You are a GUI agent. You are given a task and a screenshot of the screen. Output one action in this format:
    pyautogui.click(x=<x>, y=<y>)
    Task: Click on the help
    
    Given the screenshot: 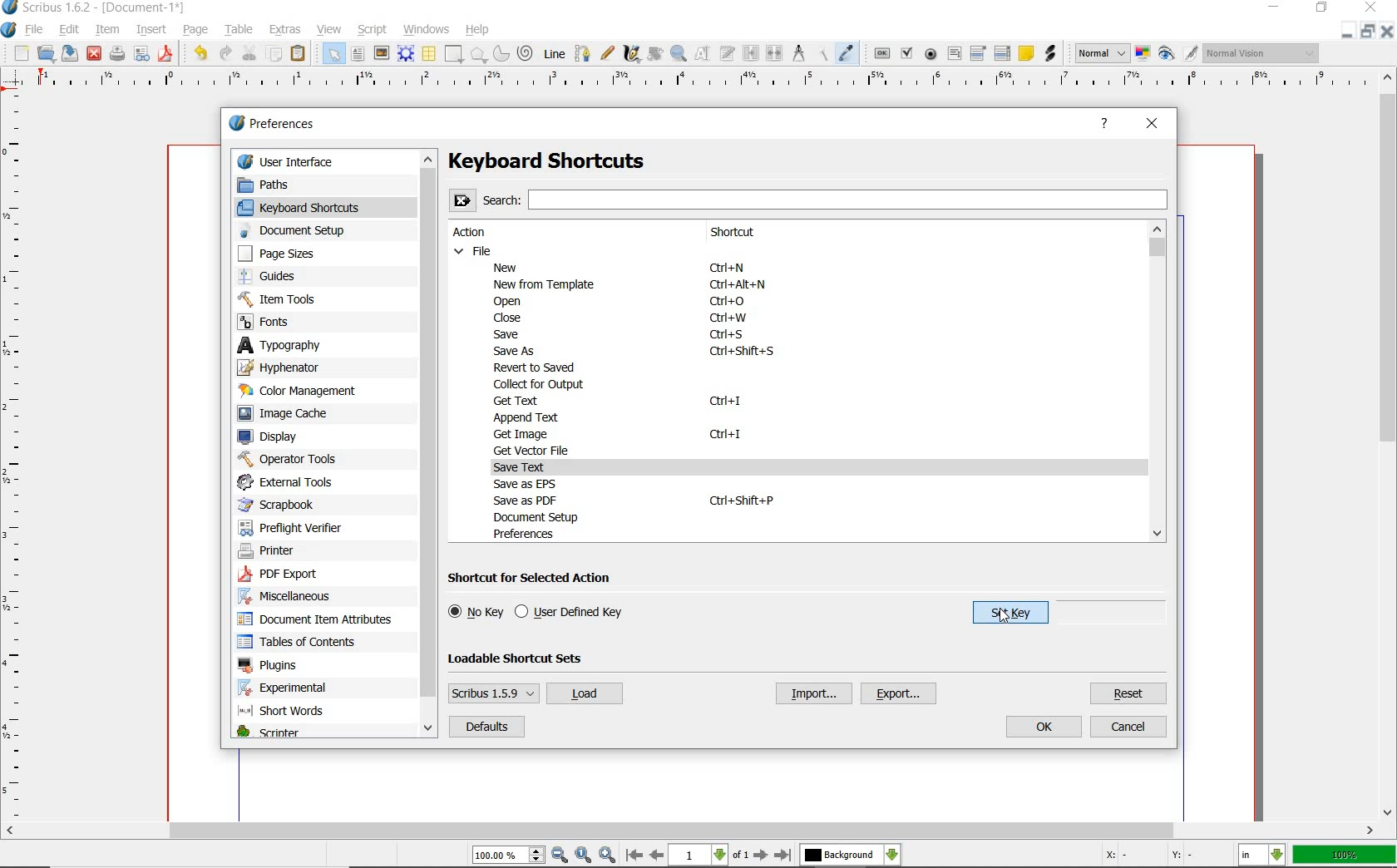 What is the action you would take?
    pyautogui.click(x=1104, y=124)
    